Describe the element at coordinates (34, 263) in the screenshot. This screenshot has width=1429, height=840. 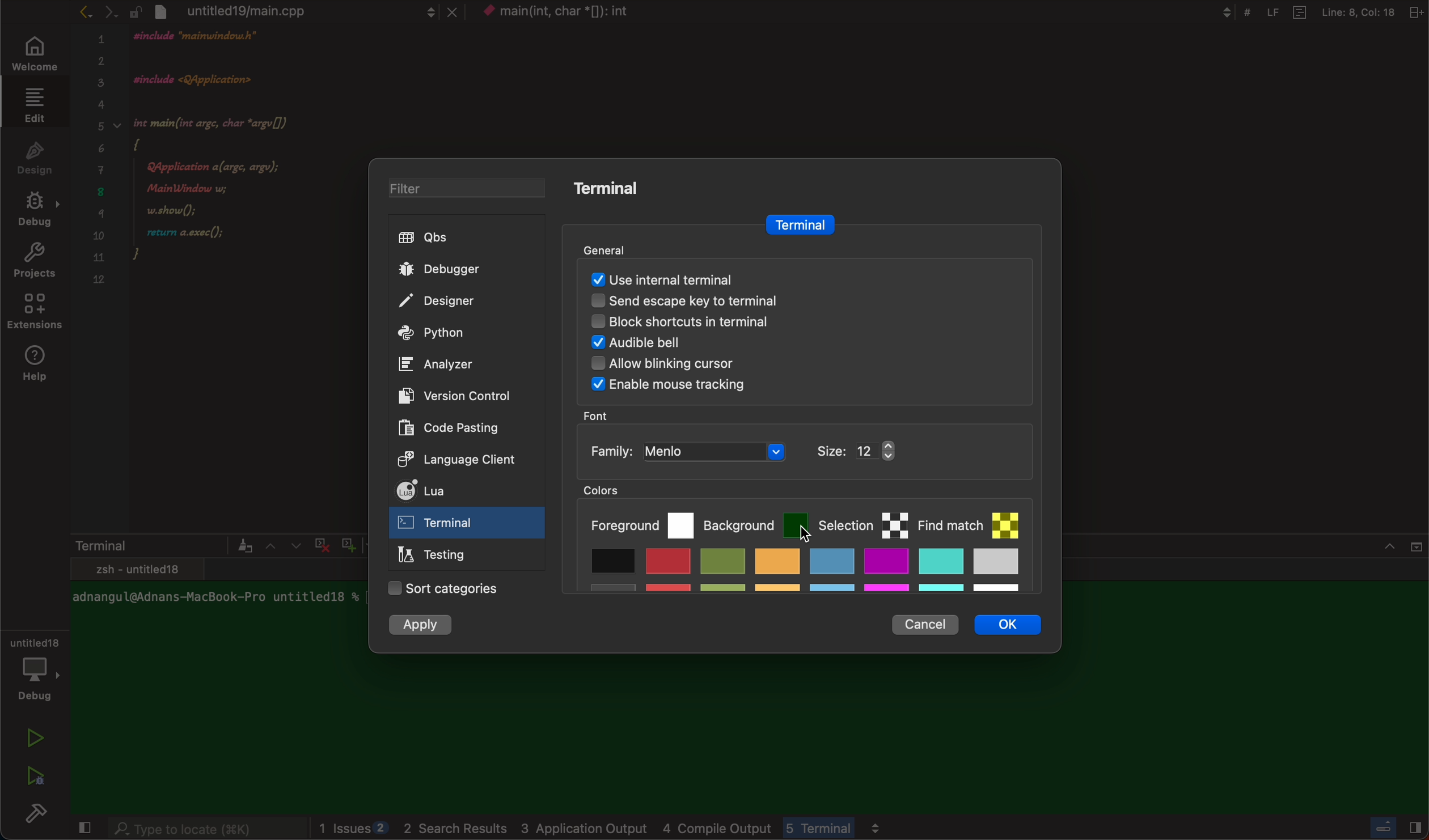
I see `projects` at that location.